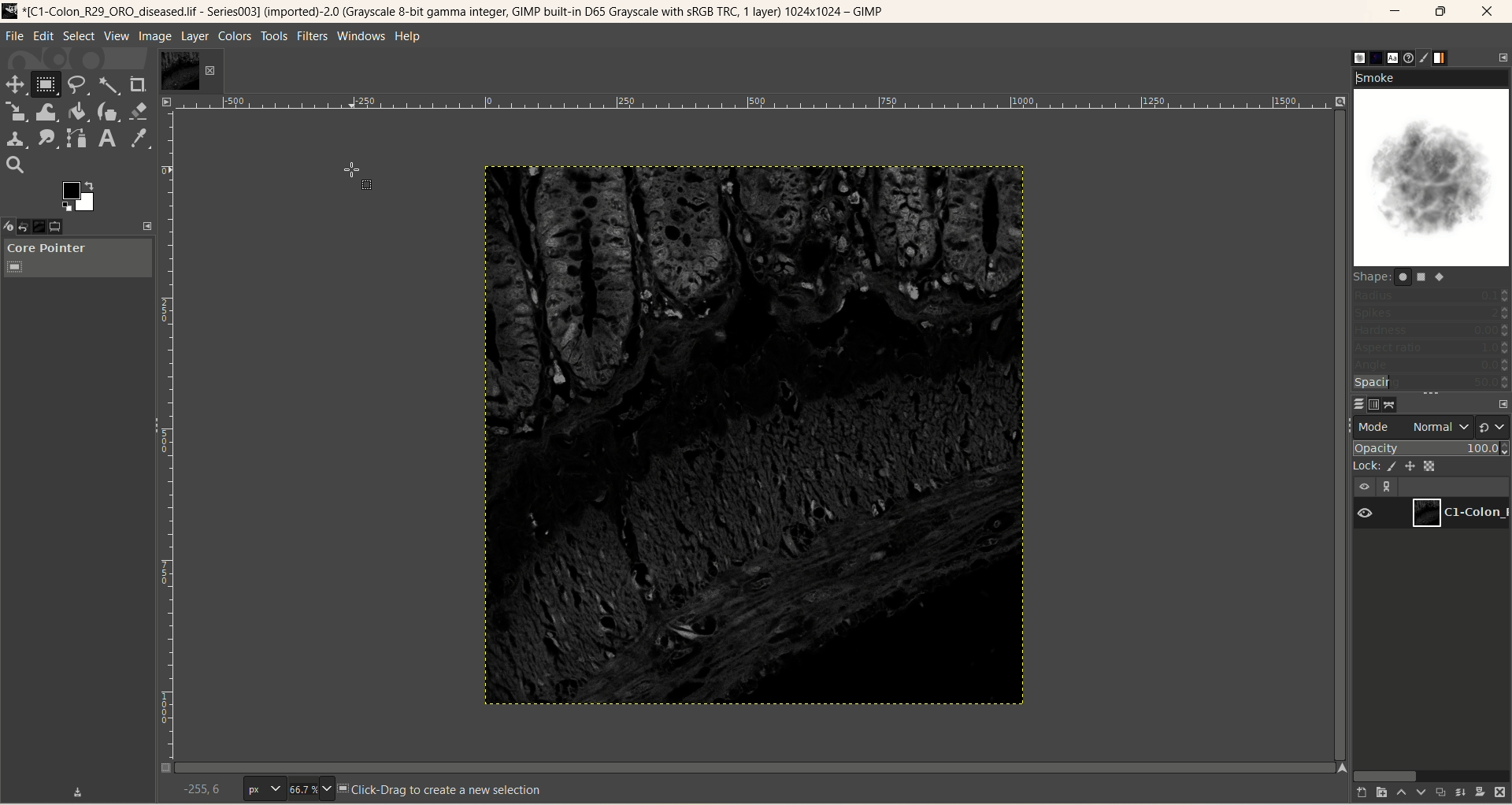  What do you see at coordinates (1366, 514) in the screenshot?
I see `visibility` at bounding box center [1366, 514].